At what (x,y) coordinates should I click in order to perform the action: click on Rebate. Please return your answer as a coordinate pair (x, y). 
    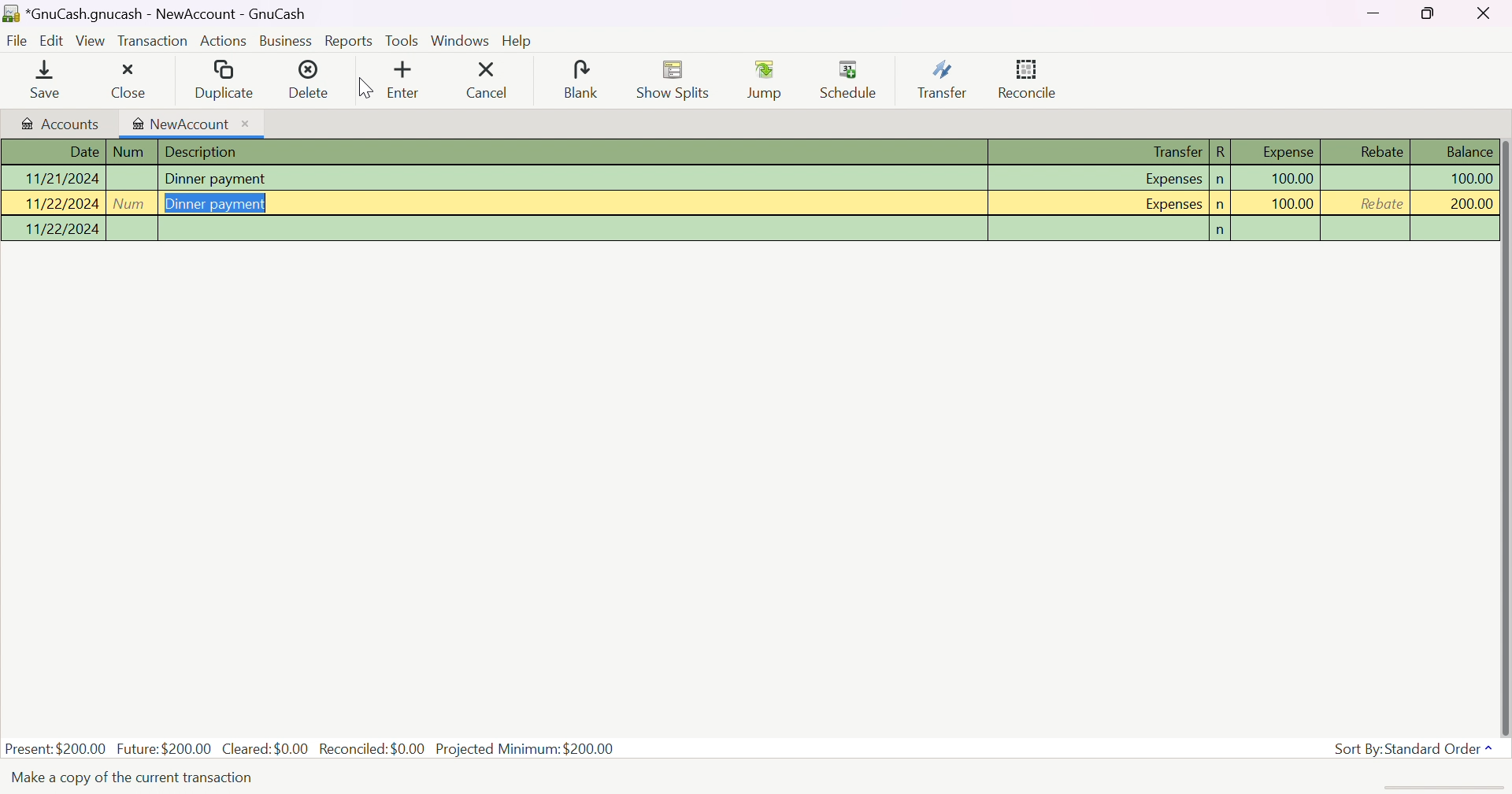
    Looking at the image, I should click on (1382, 178).